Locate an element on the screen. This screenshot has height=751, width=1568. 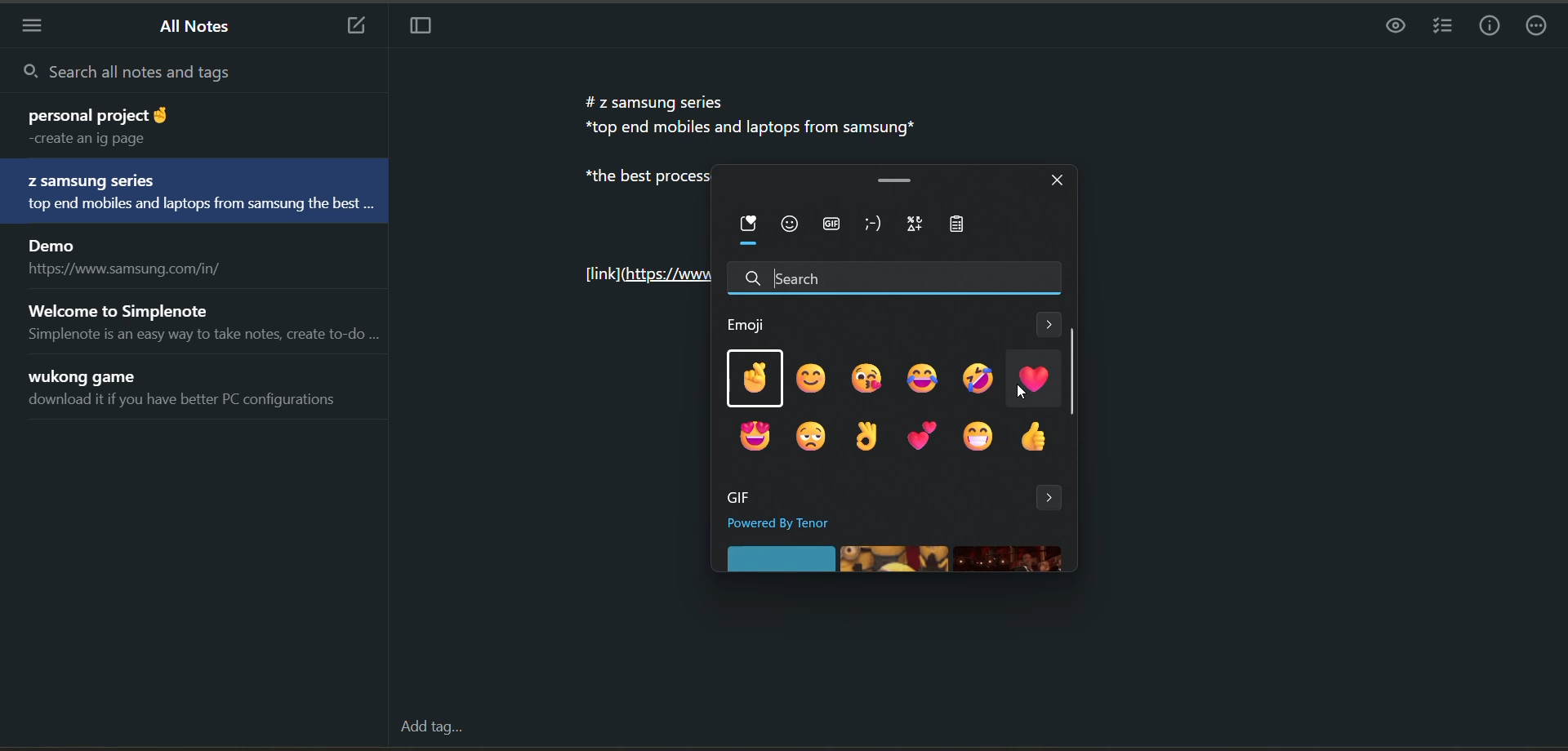
note title and preview is located at coordinates (130, 259).